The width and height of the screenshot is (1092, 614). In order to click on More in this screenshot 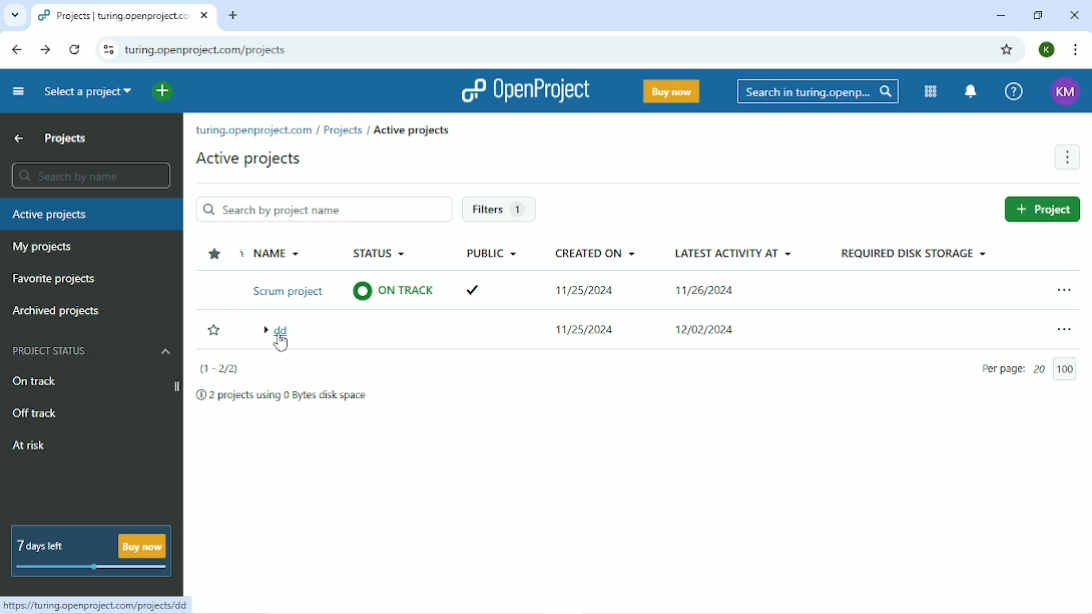, I will do `click(1067, 158)`.